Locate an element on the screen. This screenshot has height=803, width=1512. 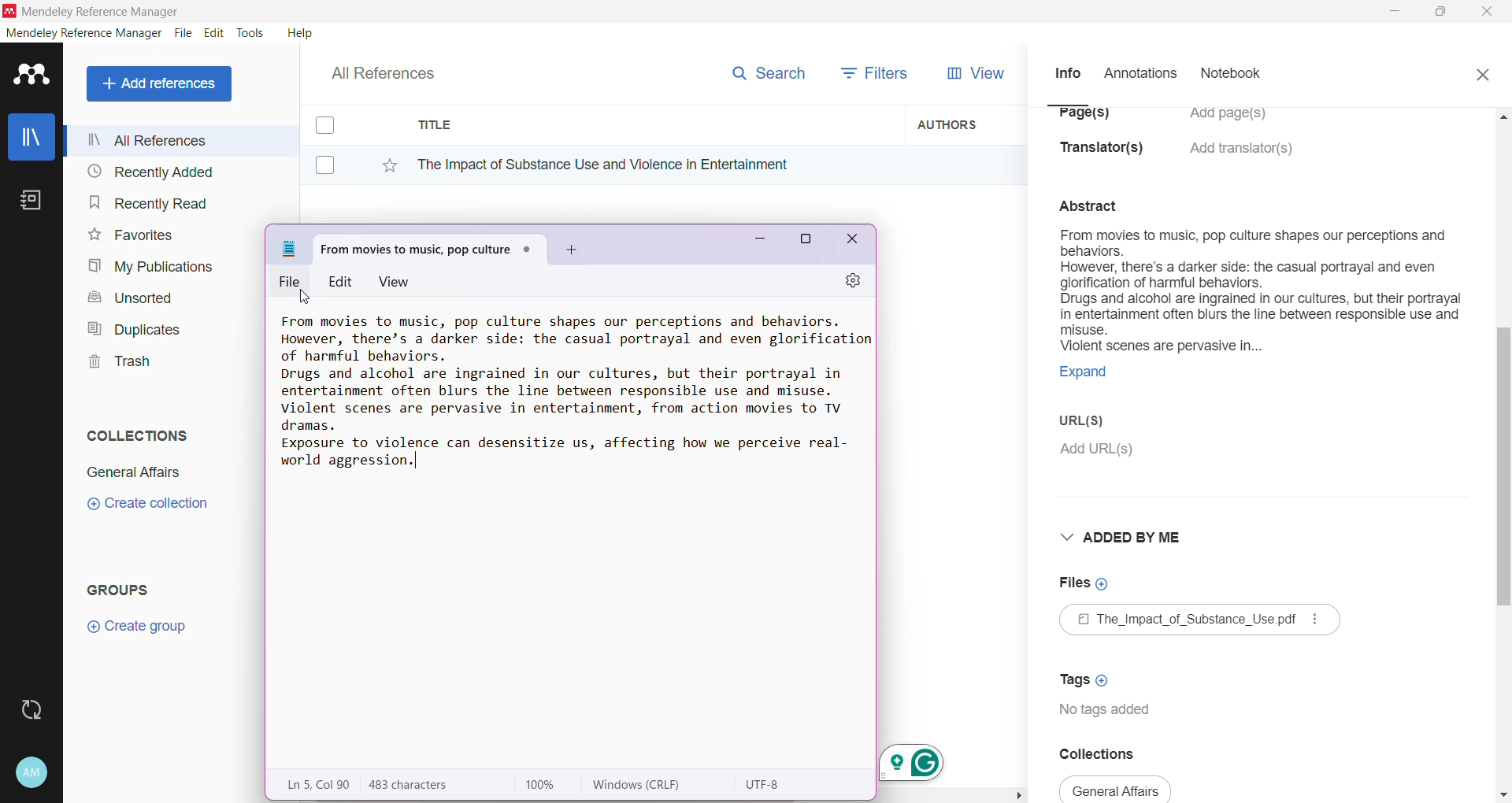
Collections is located at coordinates (133, 432).